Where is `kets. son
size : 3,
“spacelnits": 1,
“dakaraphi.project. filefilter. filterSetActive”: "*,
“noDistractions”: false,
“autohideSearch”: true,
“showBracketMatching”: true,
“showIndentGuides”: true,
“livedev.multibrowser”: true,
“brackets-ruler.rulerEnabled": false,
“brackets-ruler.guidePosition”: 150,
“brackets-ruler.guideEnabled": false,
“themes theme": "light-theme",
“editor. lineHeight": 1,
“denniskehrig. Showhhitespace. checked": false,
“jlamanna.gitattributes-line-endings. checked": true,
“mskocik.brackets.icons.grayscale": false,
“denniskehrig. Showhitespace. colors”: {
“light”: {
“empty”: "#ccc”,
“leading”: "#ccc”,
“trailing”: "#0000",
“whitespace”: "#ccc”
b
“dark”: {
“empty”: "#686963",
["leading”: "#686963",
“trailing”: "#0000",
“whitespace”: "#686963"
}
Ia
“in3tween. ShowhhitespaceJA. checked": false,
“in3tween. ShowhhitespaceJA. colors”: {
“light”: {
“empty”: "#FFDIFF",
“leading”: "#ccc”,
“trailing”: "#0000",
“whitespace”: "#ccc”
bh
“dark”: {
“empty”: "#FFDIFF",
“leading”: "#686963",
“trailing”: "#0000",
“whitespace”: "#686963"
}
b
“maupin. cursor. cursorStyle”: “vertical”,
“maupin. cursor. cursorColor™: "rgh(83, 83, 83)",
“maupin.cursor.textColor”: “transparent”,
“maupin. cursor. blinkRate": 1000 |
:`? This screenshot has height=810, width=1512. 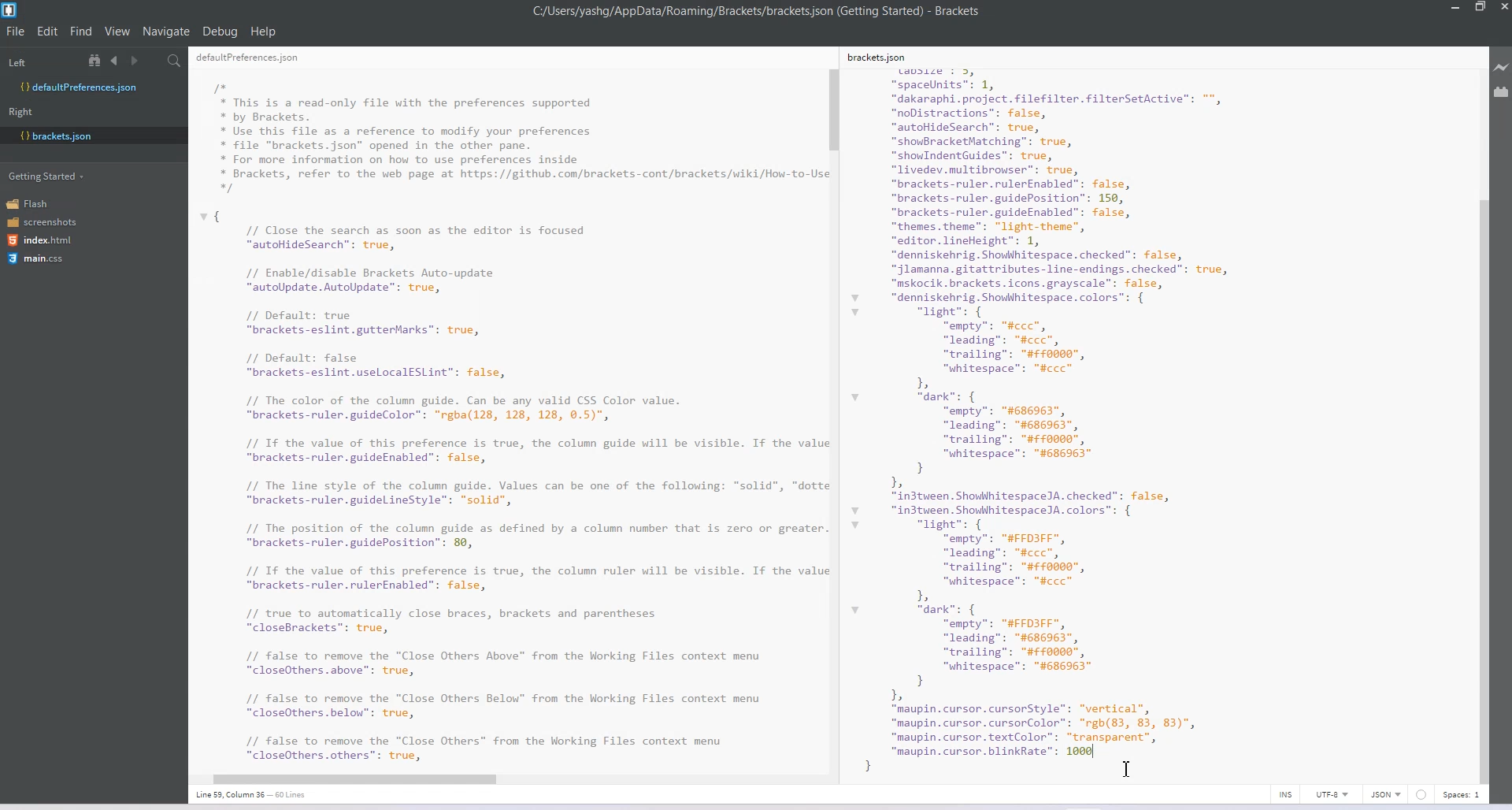 kets. son
size : 3,
“spacelnits": 1,
“dakaraphi.project. filefilter. filterSetActive”: "*,
“noDistractions”: false,
“autohideSearch”: true,
“showBracketMatching”: true,
“showIndentGuides”: true,
“livedev.multibrowser”: true,
“brackets-ruler.rulerEnabled": false,
“brackets-ruler.guidePosition”: 150,
“brackets-ruler.guideEnabled": false,
“themes theme": "light-theme",
“editor. lineHeight": 1,
“denniskehrig. Showhhitespace. checked": false,
“jlamanna.gitattributes-line-endings. checked": true,
“mskocik.brackets.icons.grayscale": false,
“denniskehrig. Showhitespace. colors”: {
“light”: {
“empty”: "#ccc”,
“leading”: "#ccc”,
“trailing”: "#0000",
“whitespace”: "#ccc”
b
“dark”: {
“empty”: "#686963",
["leading”: "#686963",
“trailing”: "#0000",
“whitespace”: "#686963"
}
Ia
“in3tween. ShowhhitespaceJA. checked": false,
“in3tween. ShowhhitespaceJA. colors”: {
“light”: {
“empty”: "#FFDIFF",
“leading”: "#ccc”,
“trailing”: "#0000",
“whitespace”: "#ccc”
bh
“dark”: {
“empty”: "#FFDIFF",
“leading”: "#686963",
“trailing”: "#0000",
“whitespace”: "#686963"
}
b
“maupin. cursor. cursorStyle”: “vertical”,
“maupin. cursor. cursorColor™: "rgh(83, 83, 83)",
“maupin.cursor.textColor”: “transparent”,
“maupin. cursor. blinkRate": 1000 |
: is located at coordinates (1076, 411).